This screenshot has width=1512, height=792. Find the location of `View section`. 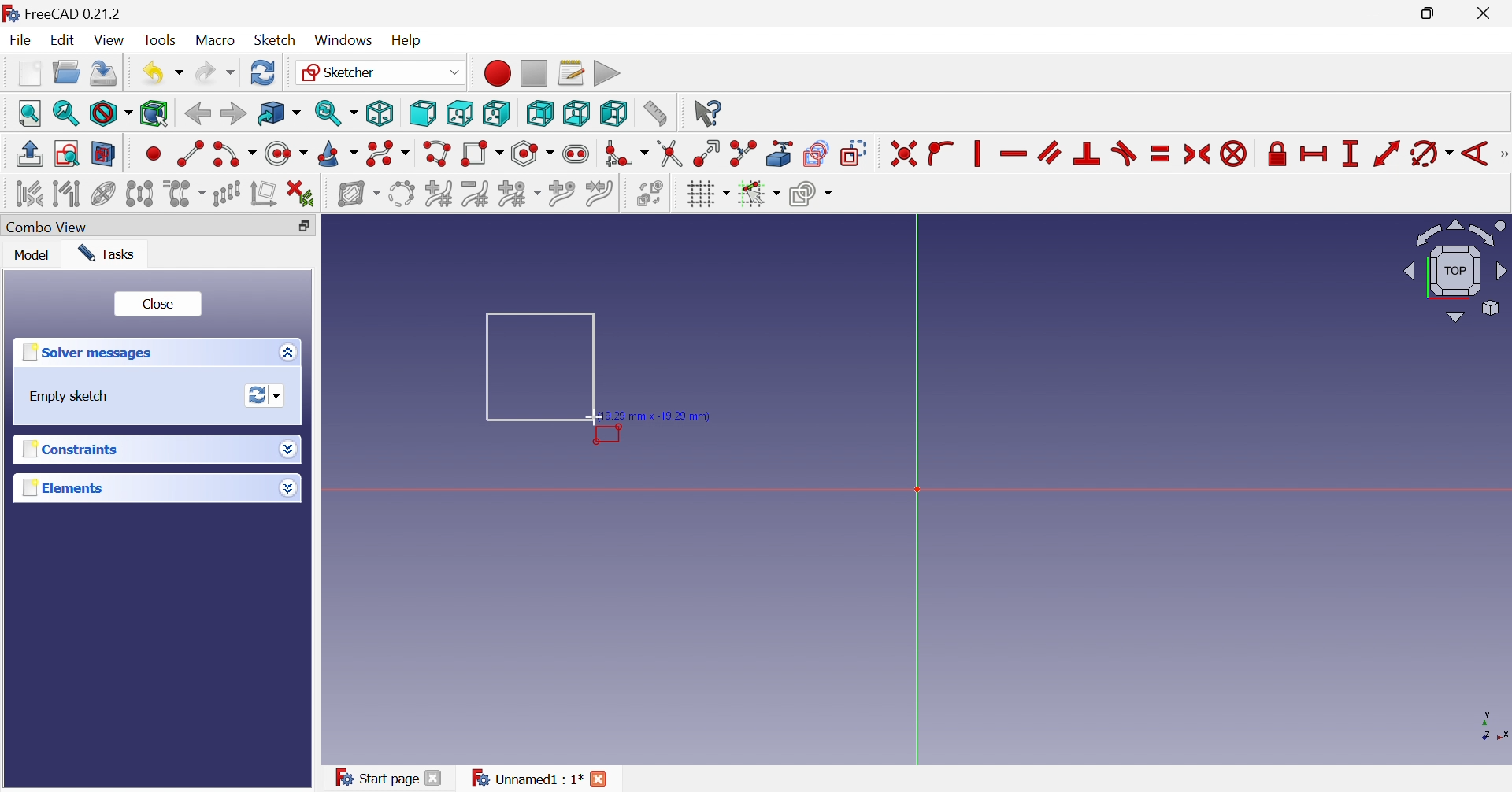

View section is located at coordinates (103, 154).